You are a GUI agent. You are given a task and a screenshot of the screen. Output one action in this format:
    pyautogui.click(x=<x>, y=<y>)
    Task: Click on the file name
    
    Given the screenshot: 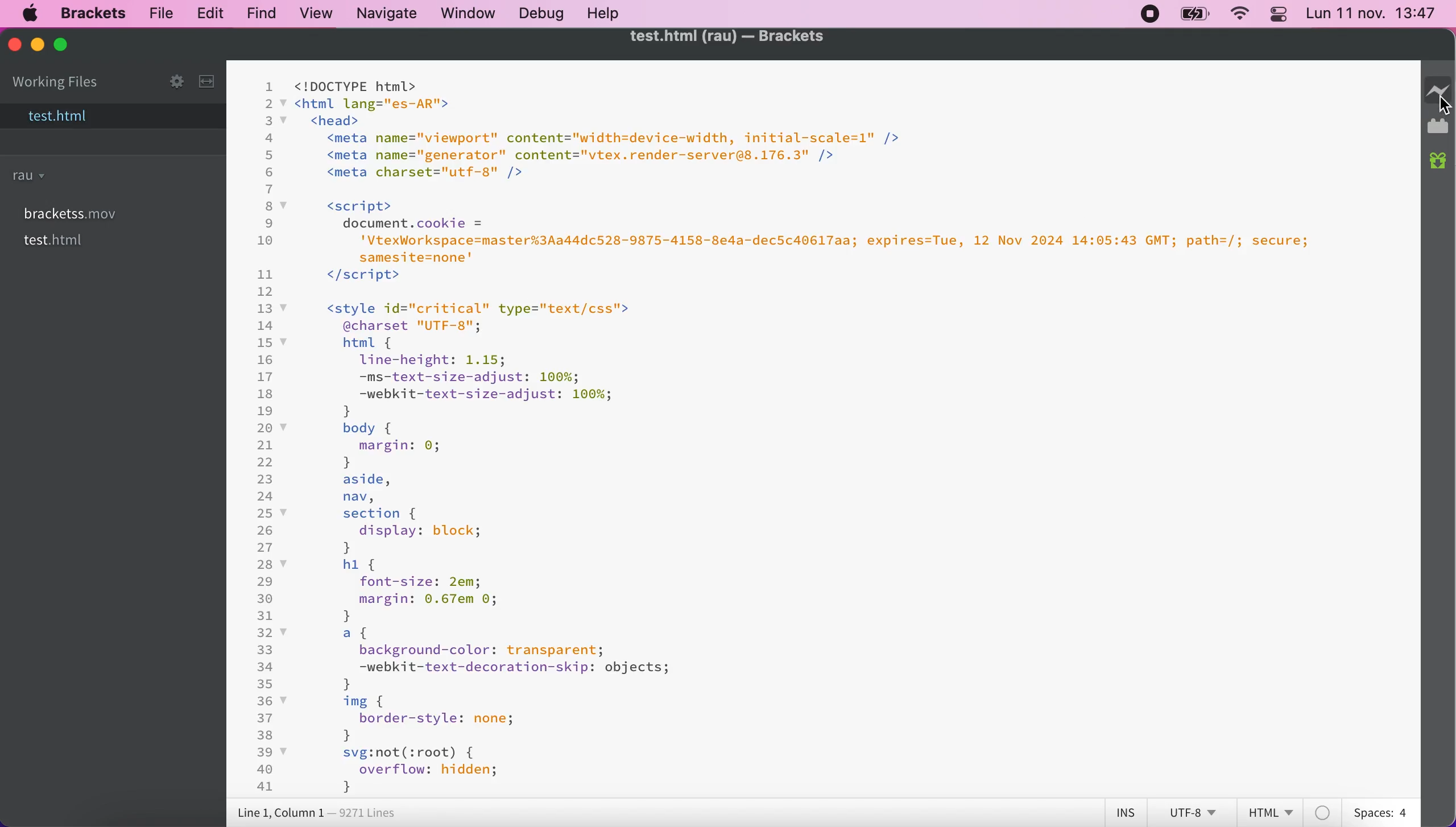 What is the action you would take?
    pyautogui.click(x=57, y=117)
    